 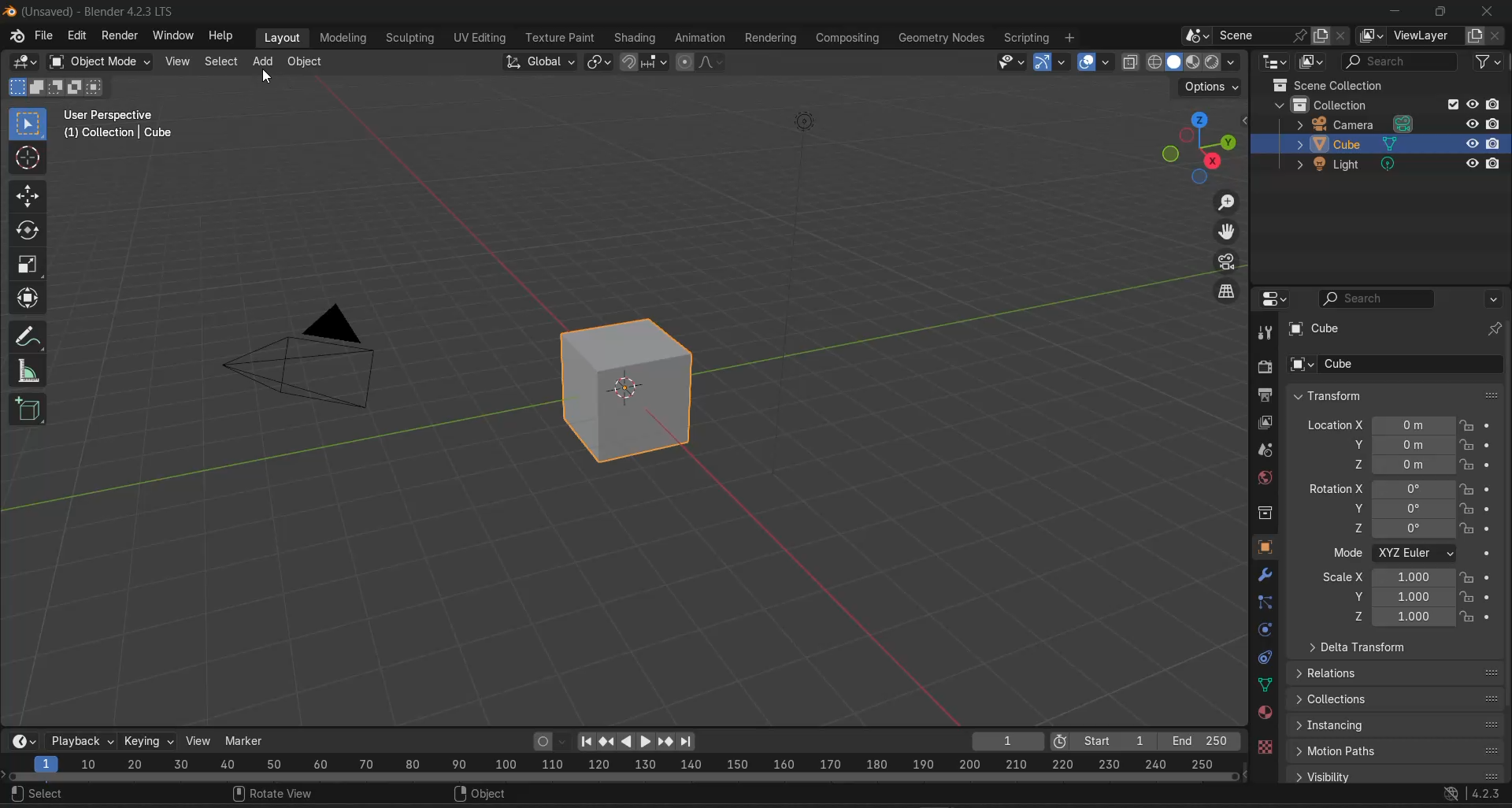 I want to click on transform, so click(x=1388, y=395).